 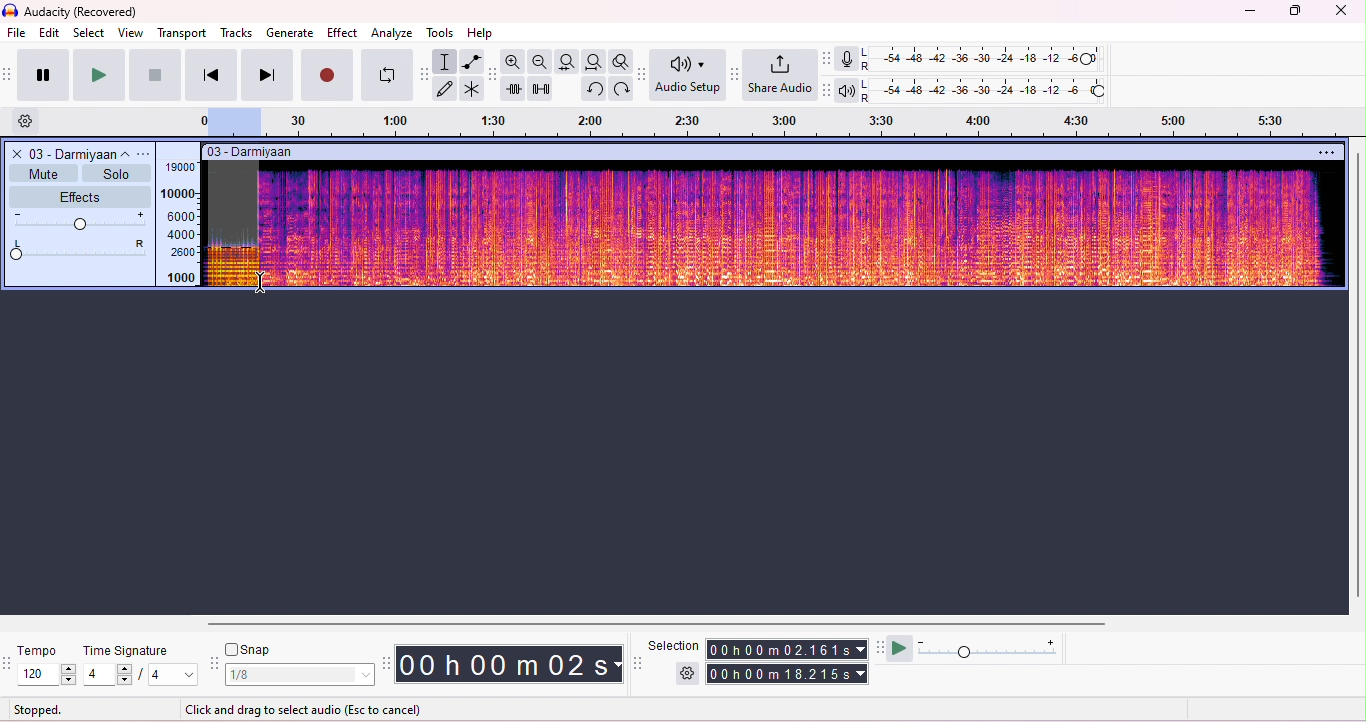 What do you see at coordinates (302, 674) in the screenshot?
I see `select snap` at bounding box center [302, 674].